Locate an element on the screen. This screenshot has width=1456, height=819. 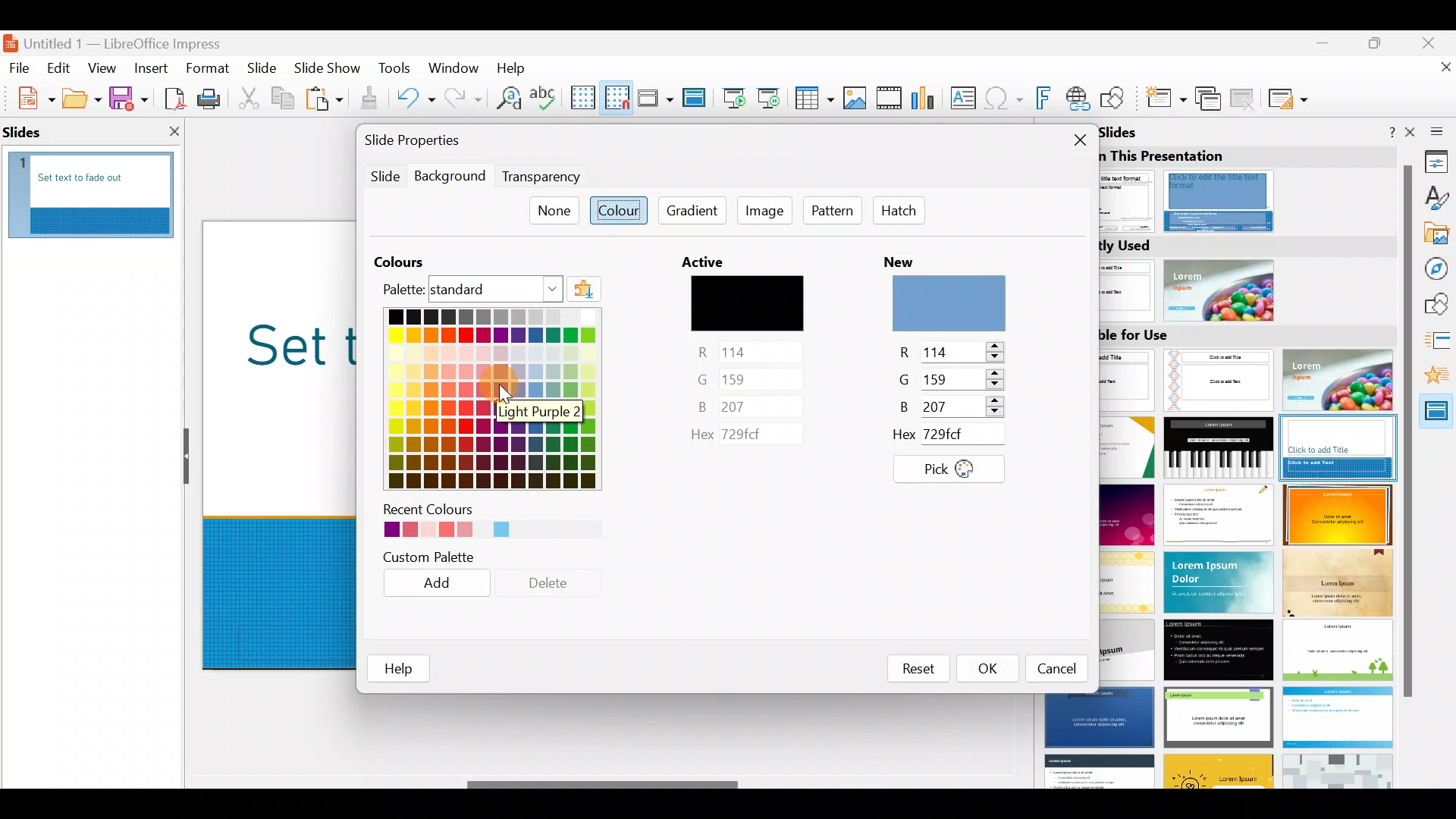
Clone formatting is located at coordinates (372, 99).